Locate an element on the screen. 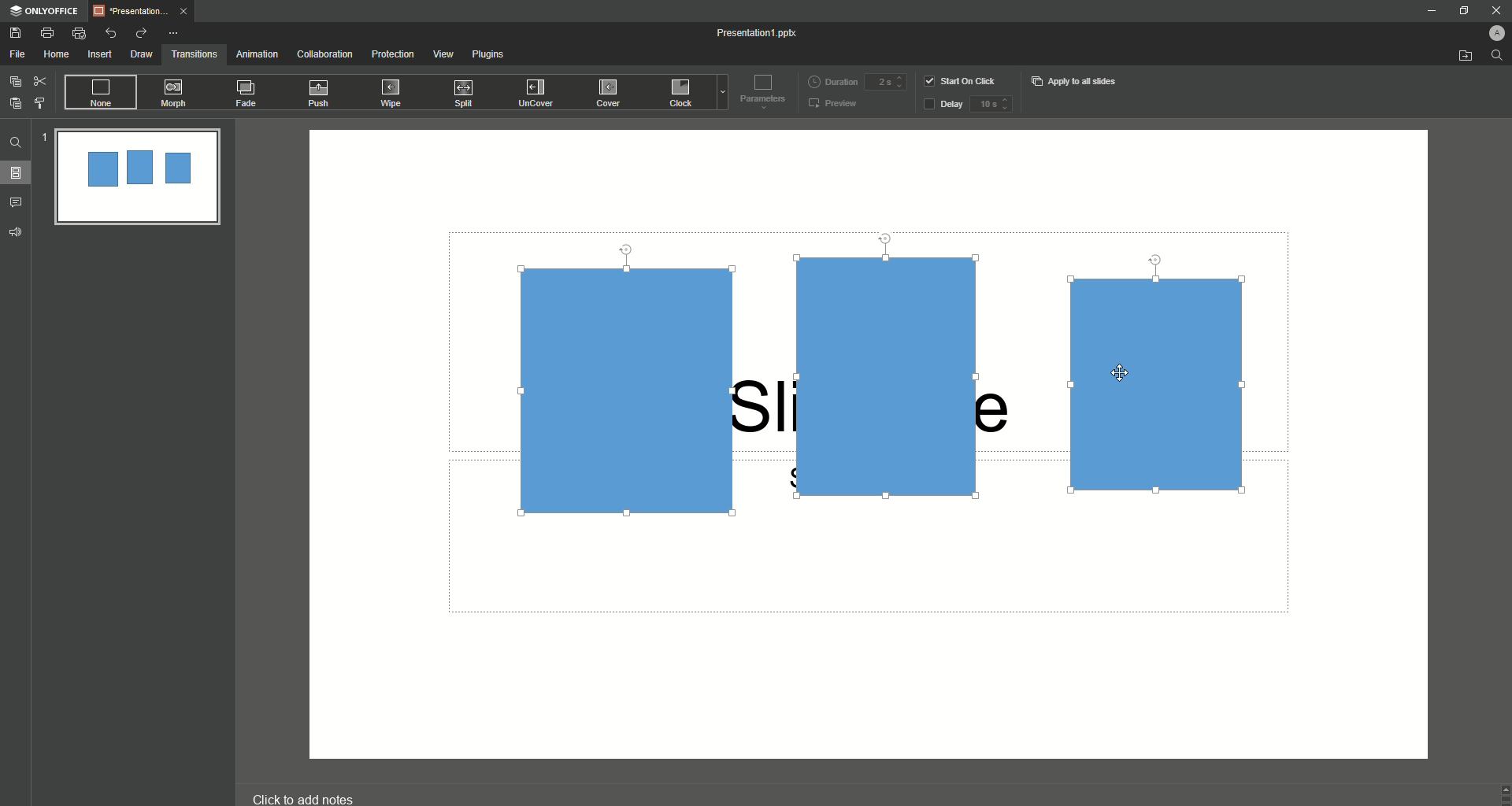 The image size is (1512, 806). Close is located at coordinates (1489, 9).